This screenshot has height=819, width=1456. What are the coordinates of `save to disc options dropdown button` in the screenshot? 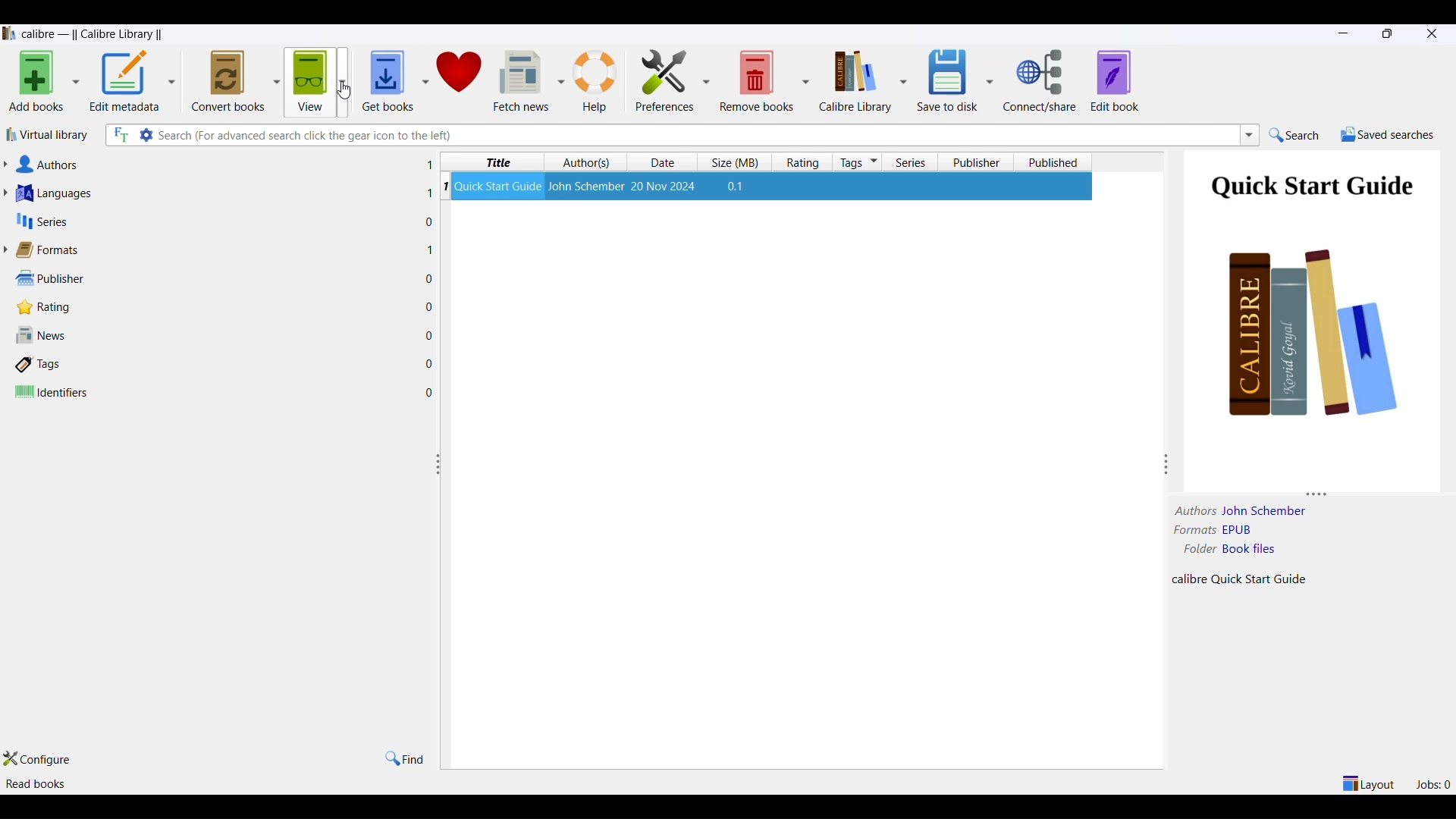 It's located at (990, 80).